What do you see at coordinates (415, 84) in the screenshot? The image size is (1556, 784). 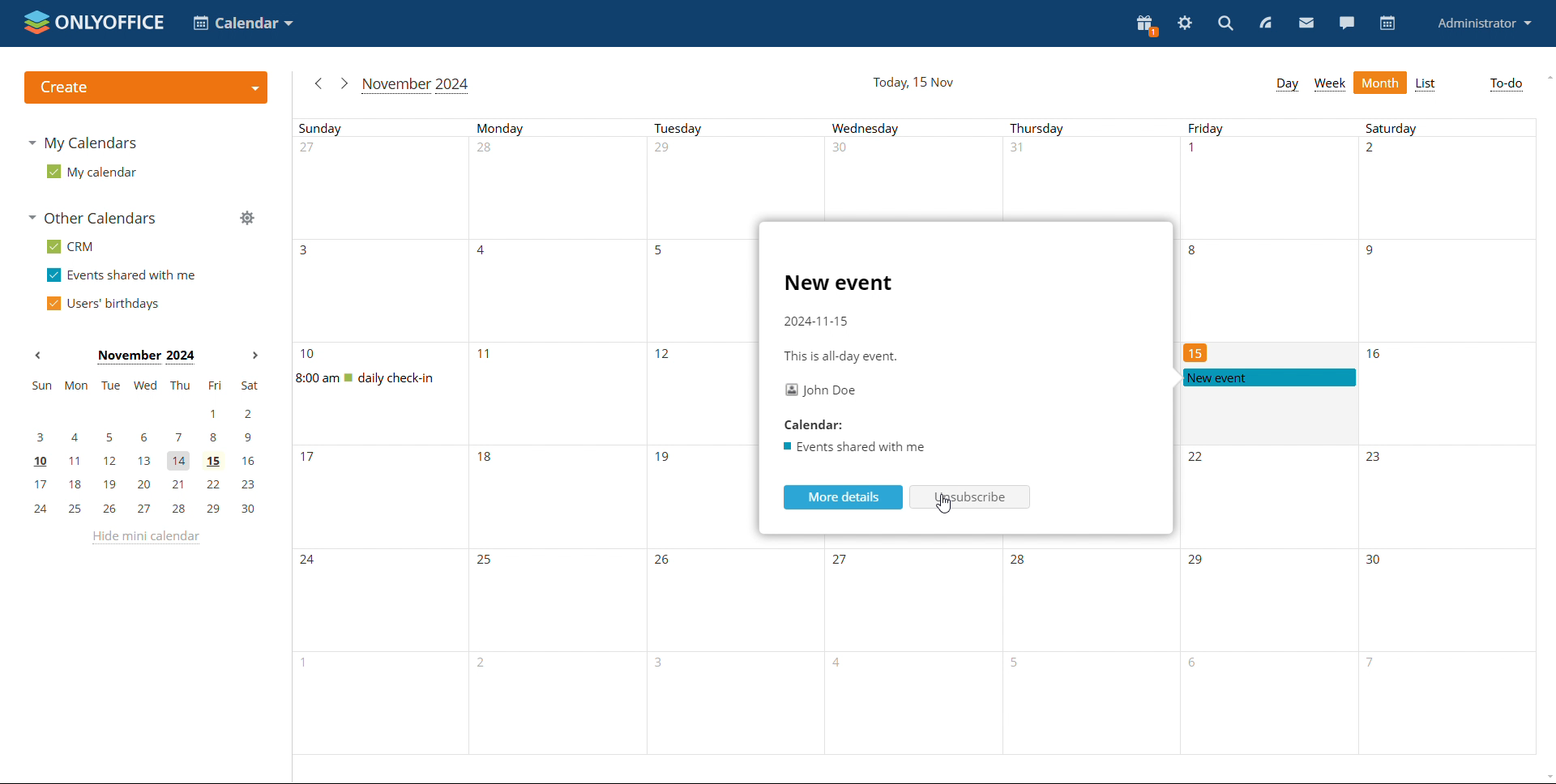 I see `current month` at bounding box center [415, 84].